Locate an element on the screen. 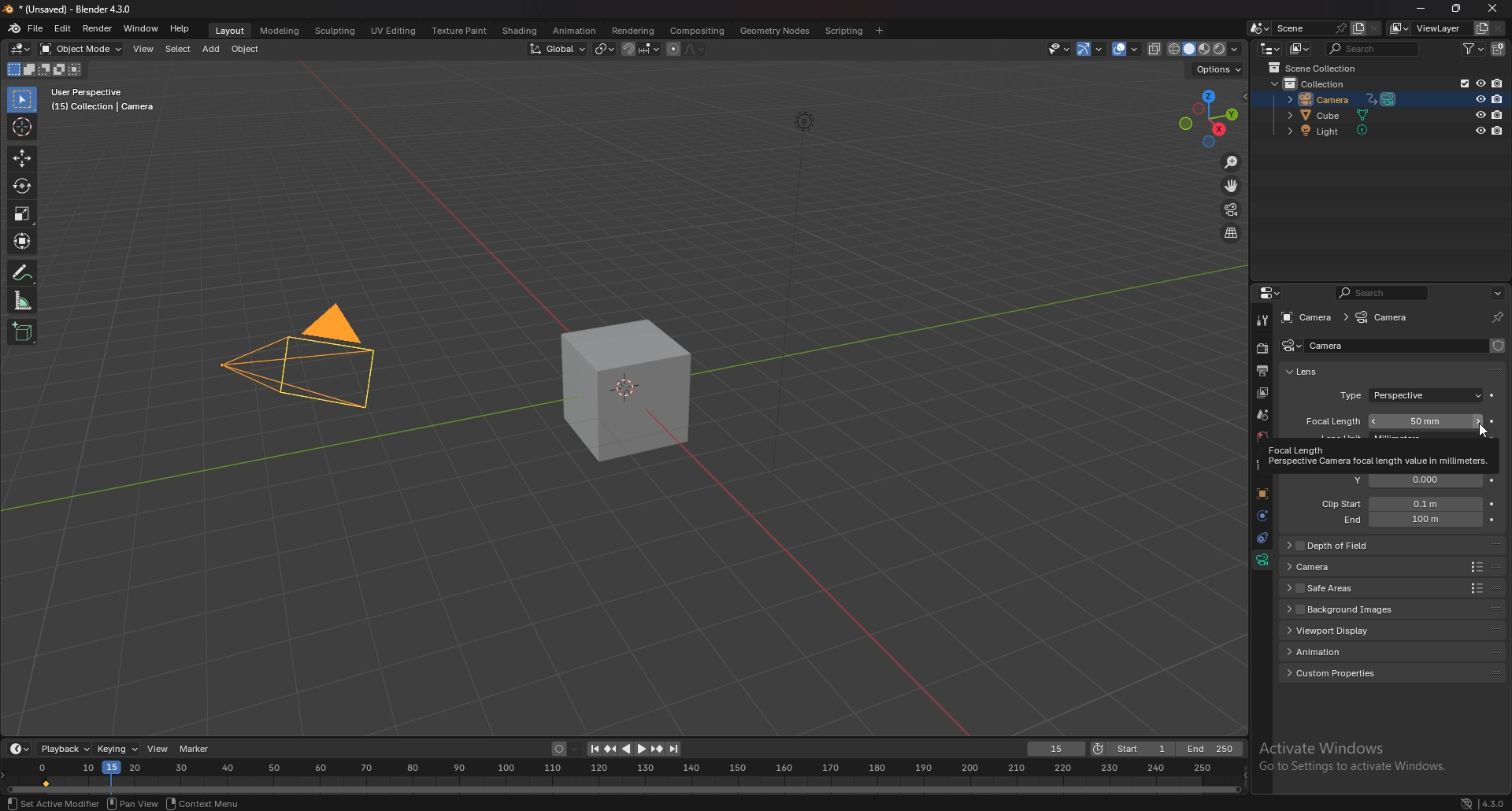 The width and height of the screenshot is (1512, 811). seek is located at coordinates (624, 778).